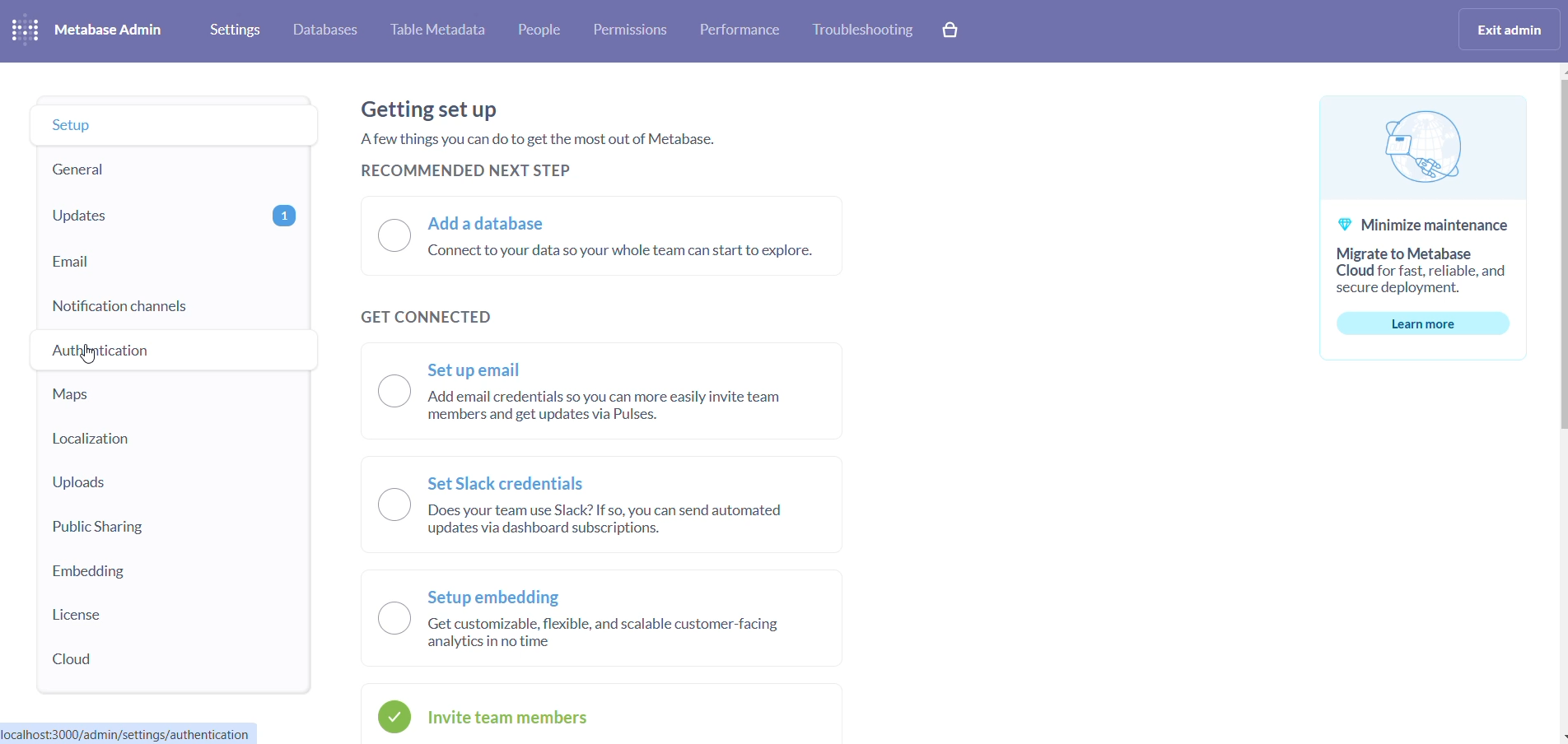 The height and width of the screenshot is (744, 1568). I want to click on settings, so click(231, 29).